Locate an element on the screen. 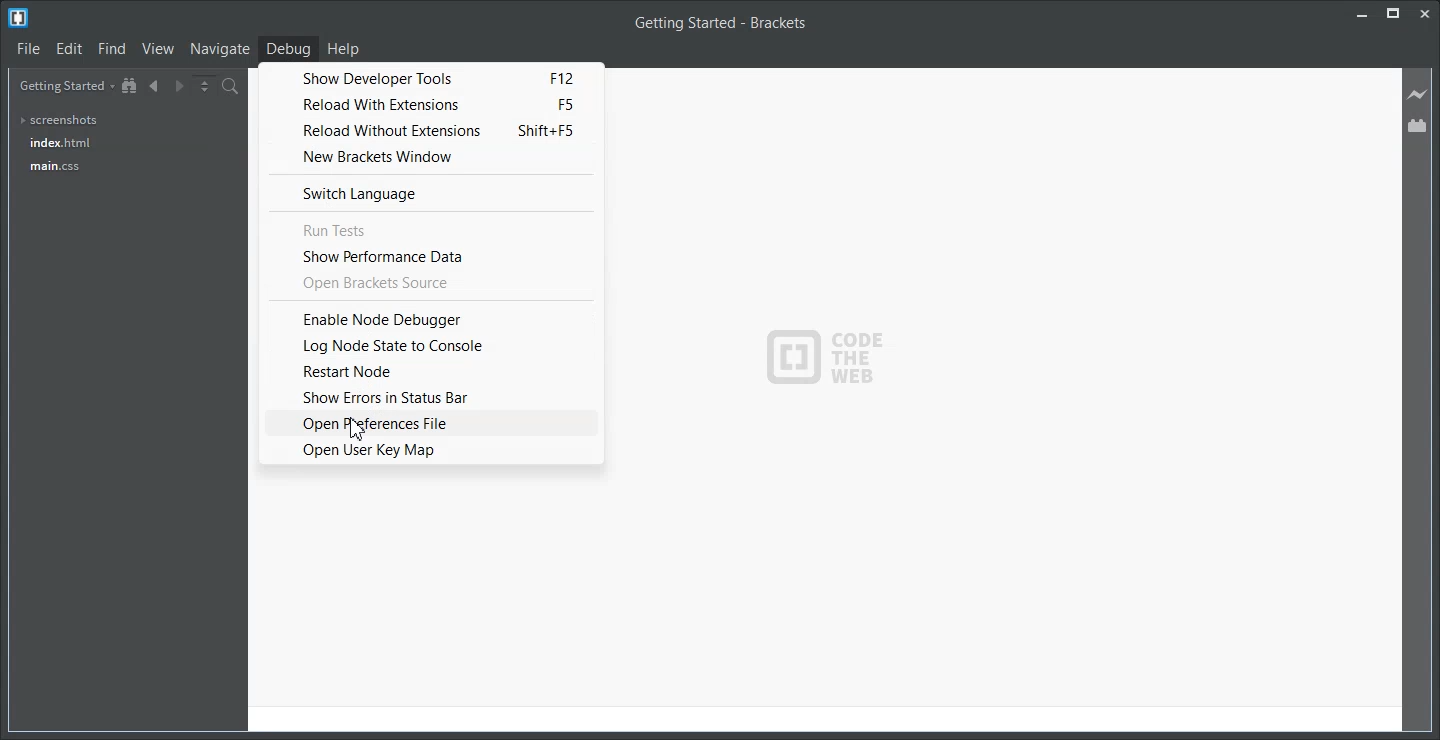  Navigate Backward is located at coordinates (154, 86).